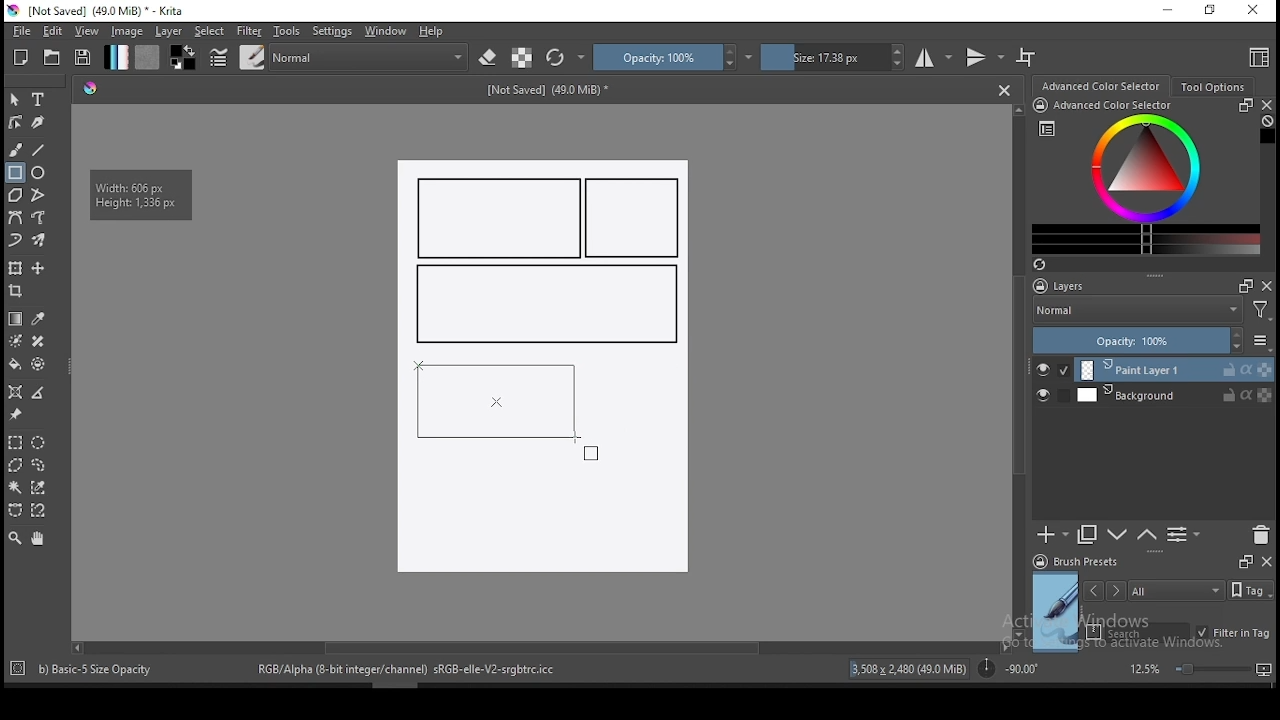  What do you see at coordinates (1147, 535) in the screenshot?
I see `move layer one step down` at bounding box center [1147, 535].